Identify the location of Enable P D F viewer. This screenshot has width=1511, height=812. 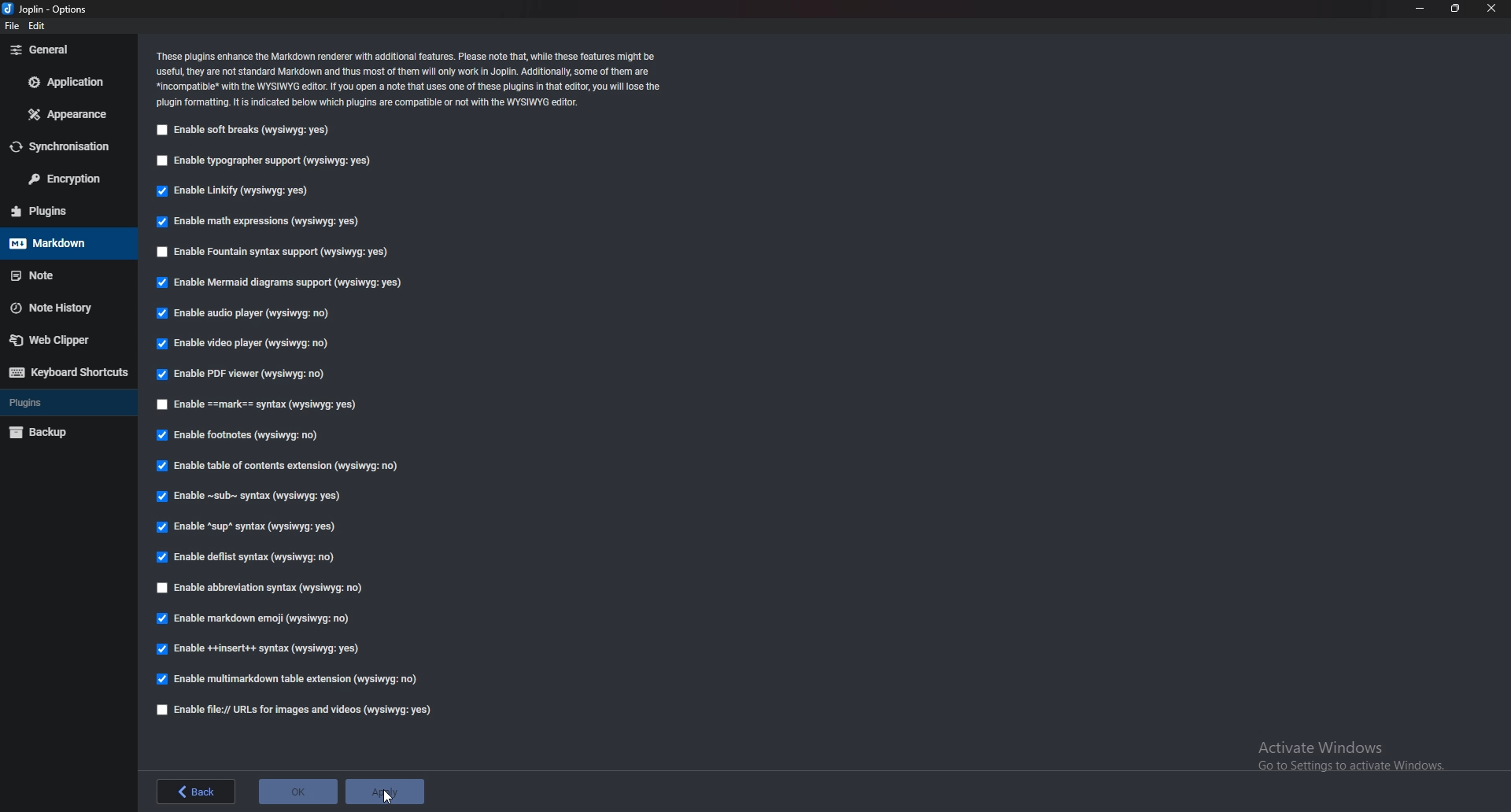
(243, 374).